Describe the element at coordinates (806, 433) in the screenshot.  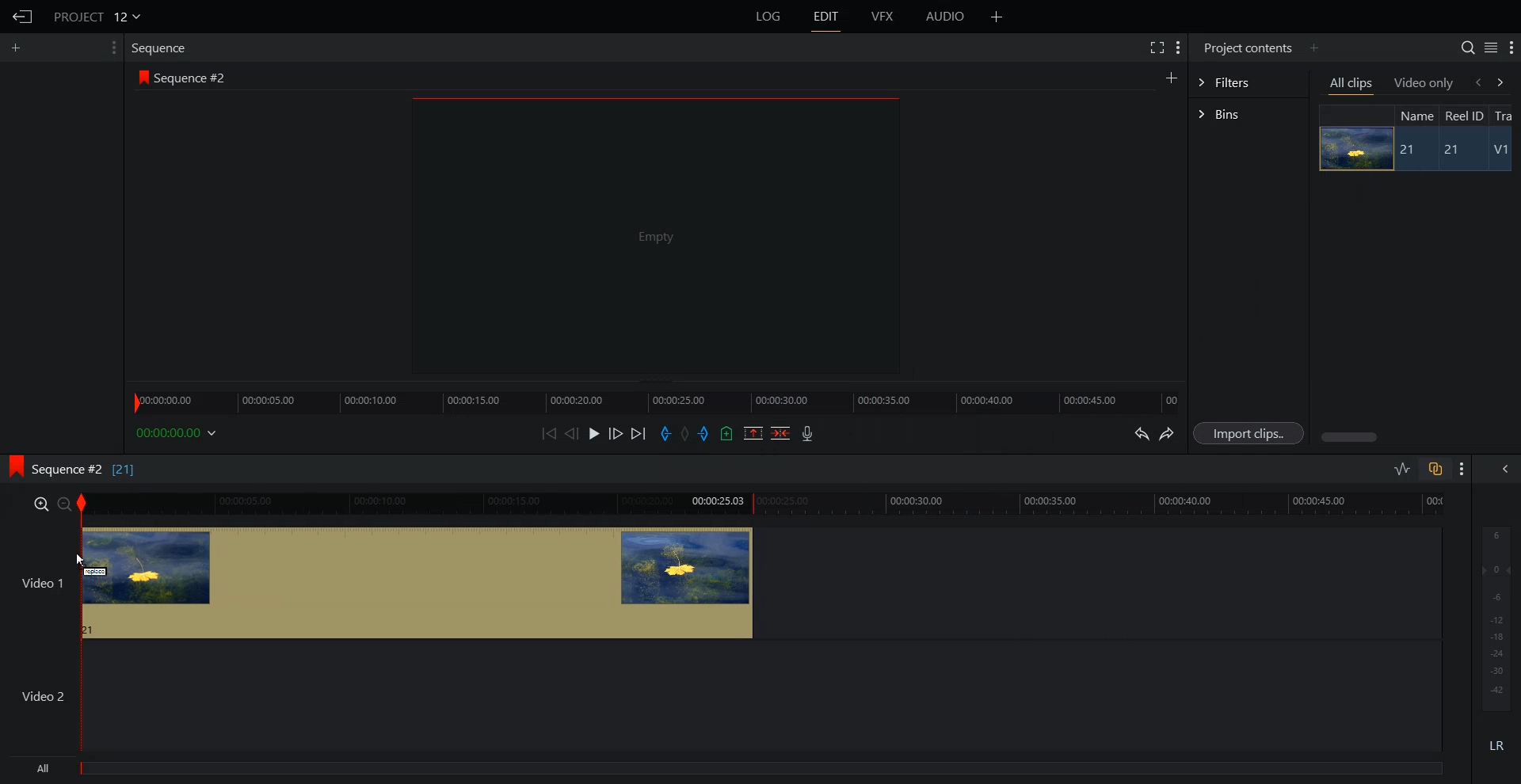
I see `Record Audio` at that location.